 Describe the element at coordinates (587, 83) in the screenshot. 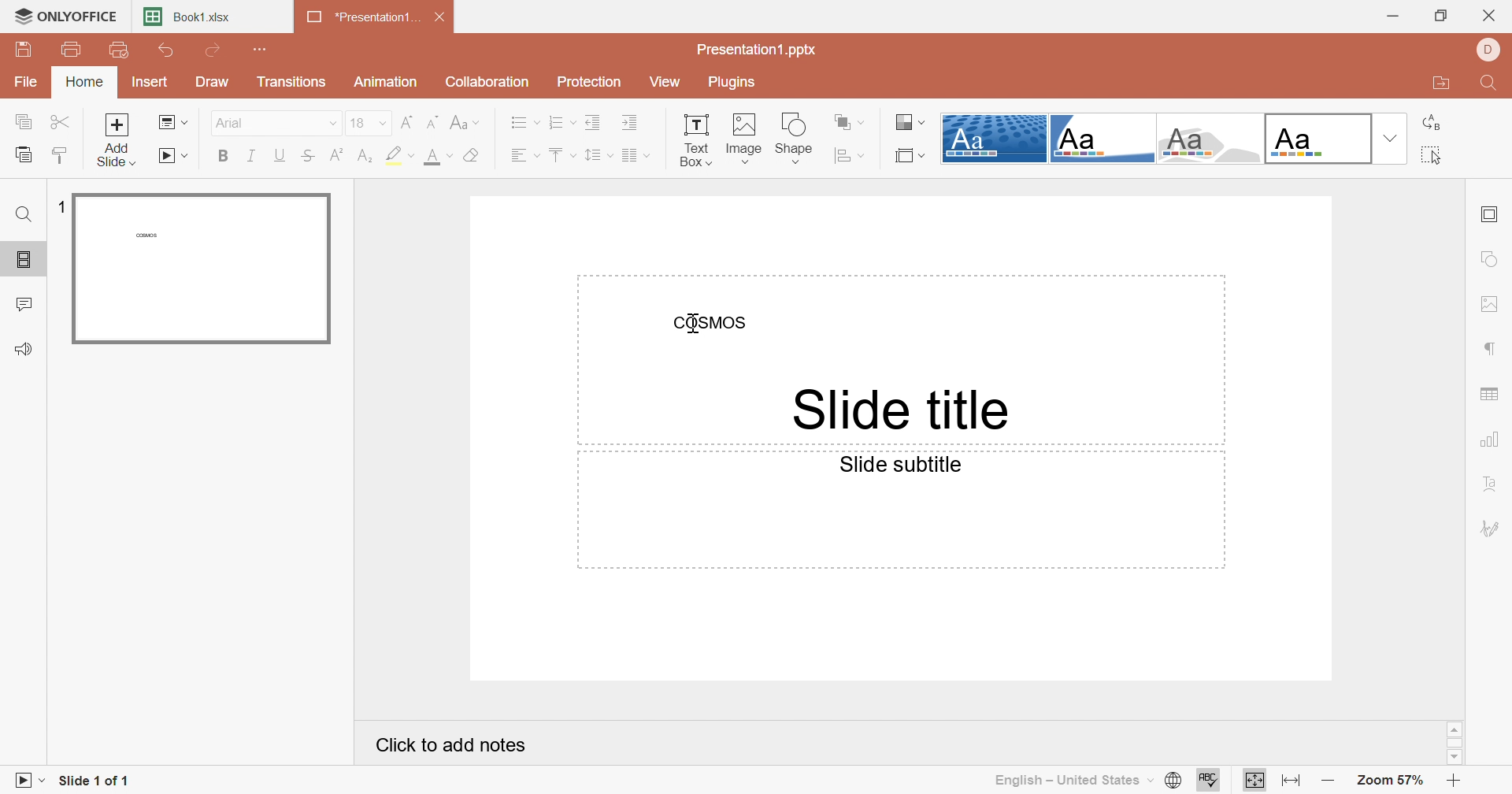

I see `Protection` at that location.